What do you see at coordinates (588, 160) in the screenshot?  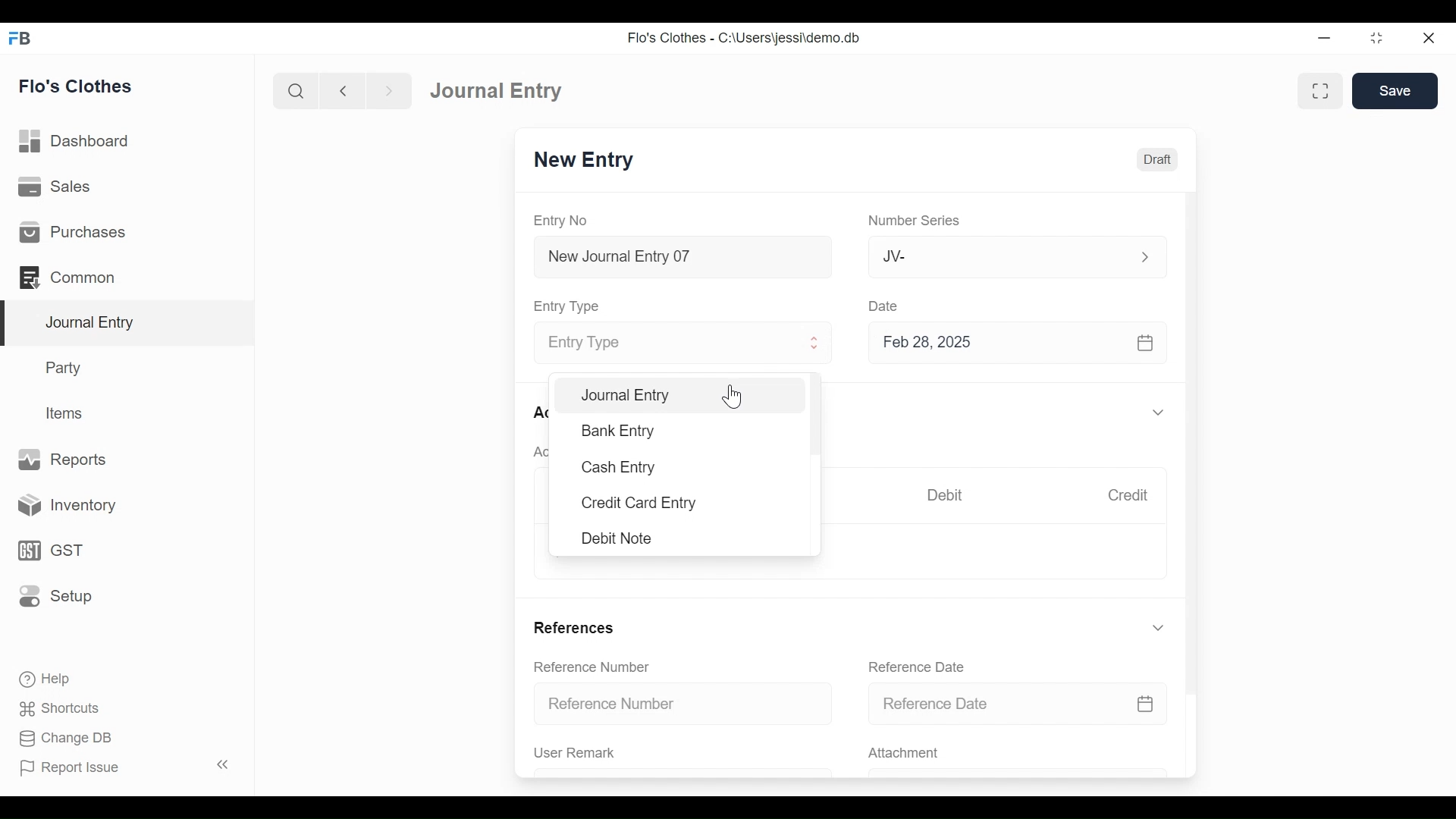 I see `New Entry` at bounding box center [588, 160].